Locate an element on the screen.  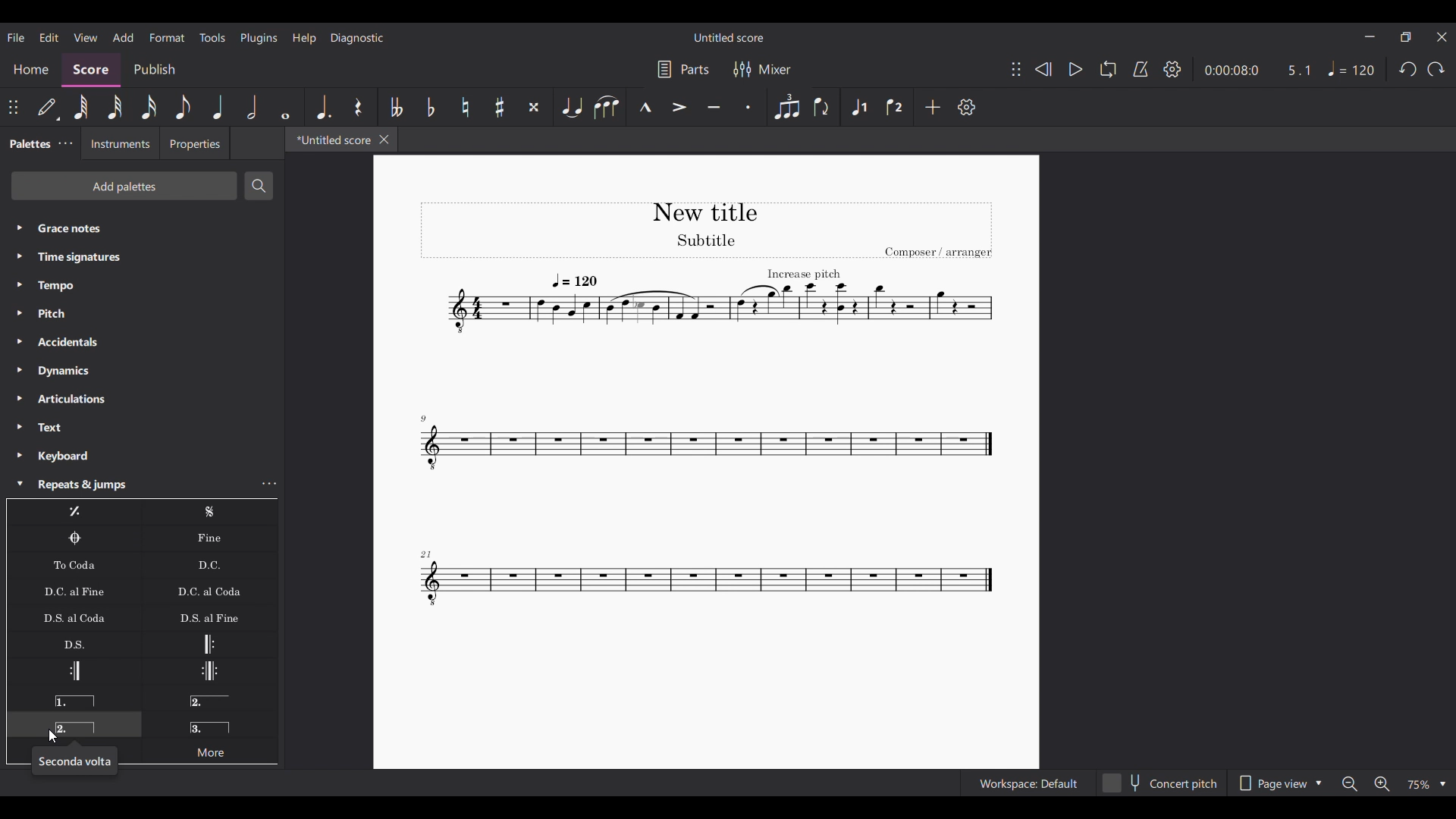
Seconda volta is located at coordinates (74, 761).